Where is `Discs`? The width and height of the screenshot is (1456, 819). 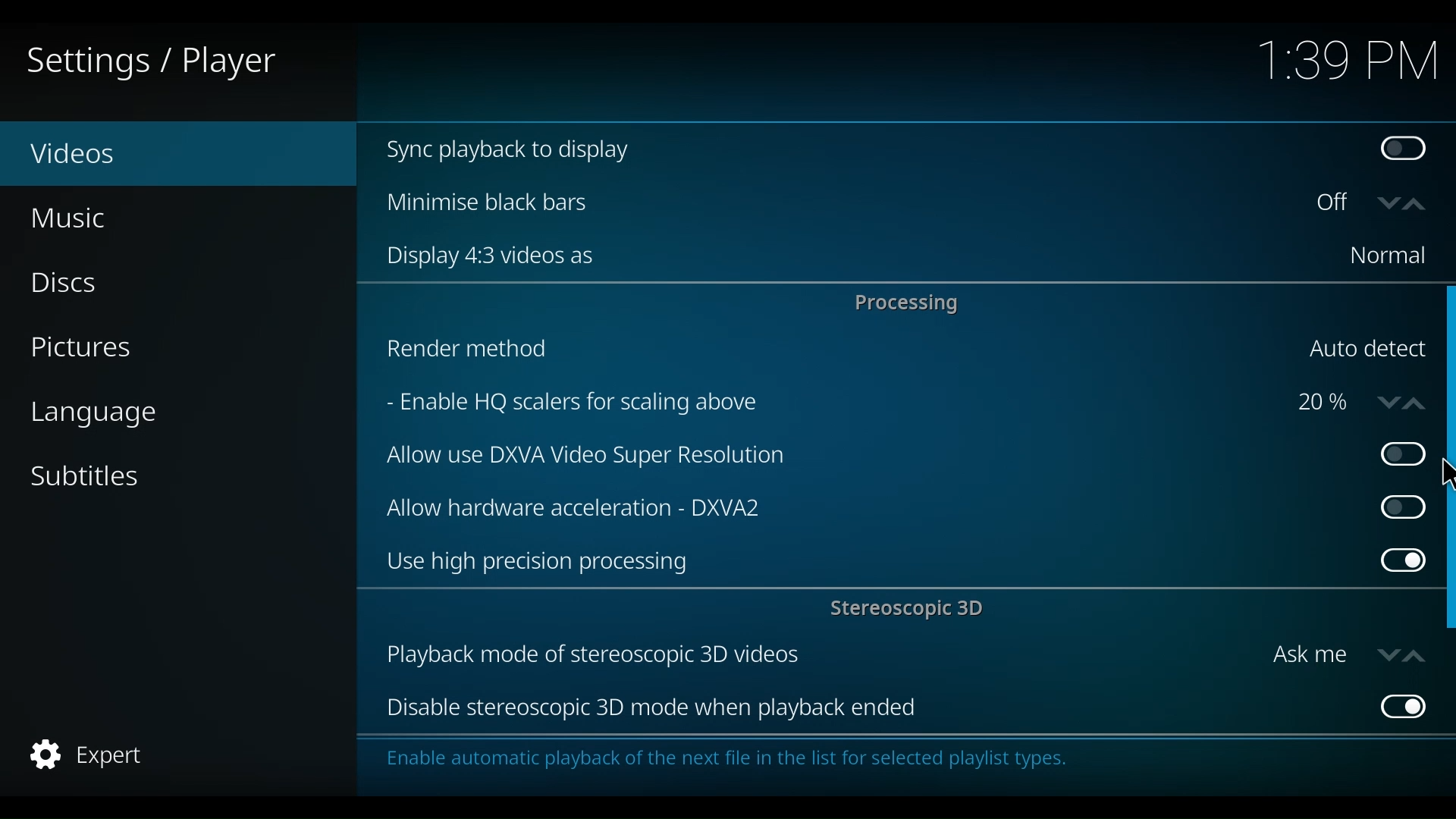 Discs is located at coordinates (74, 284).